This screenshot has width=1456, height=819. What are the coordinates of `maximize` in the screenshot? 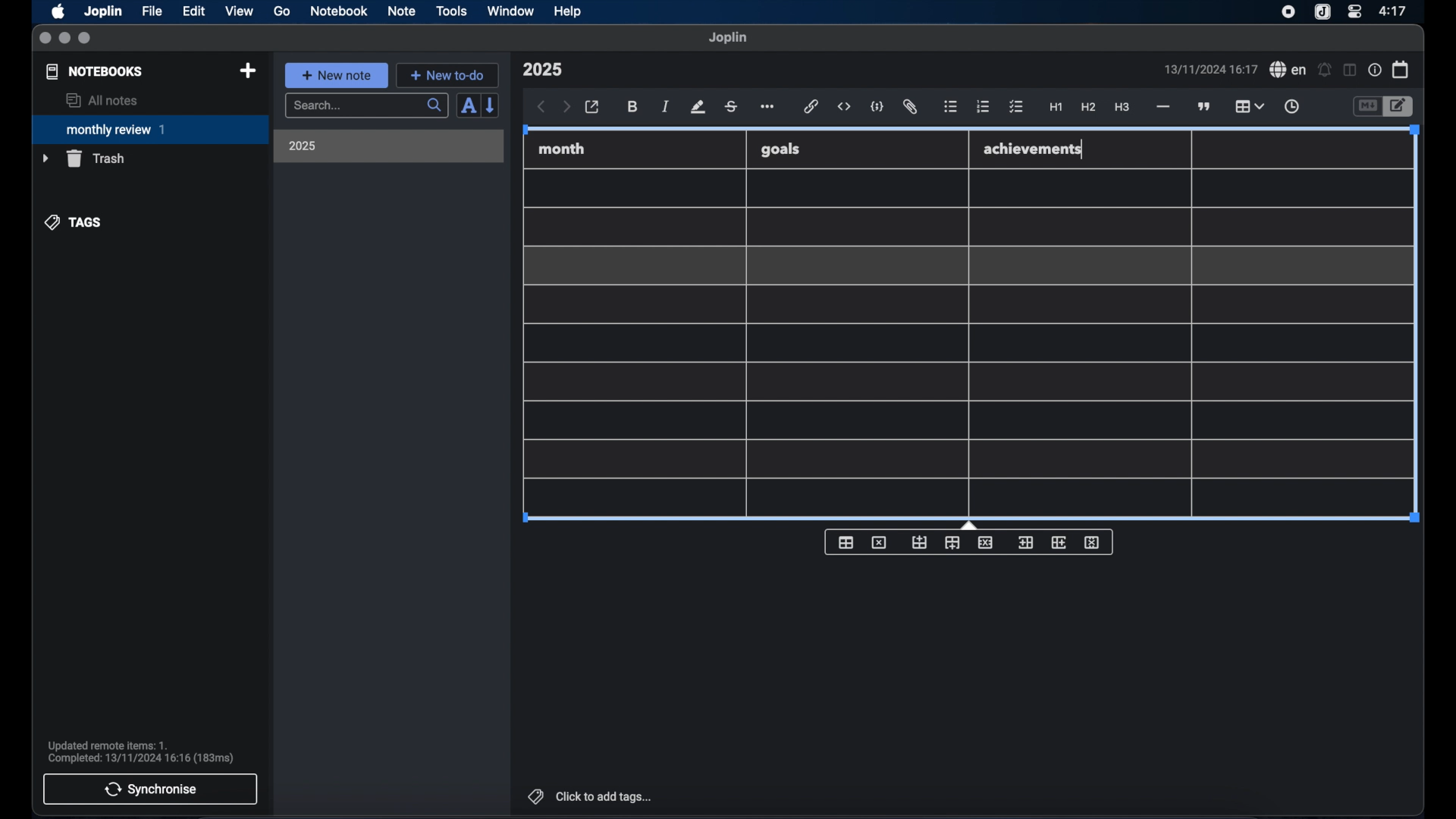 It's located at (86, 39).